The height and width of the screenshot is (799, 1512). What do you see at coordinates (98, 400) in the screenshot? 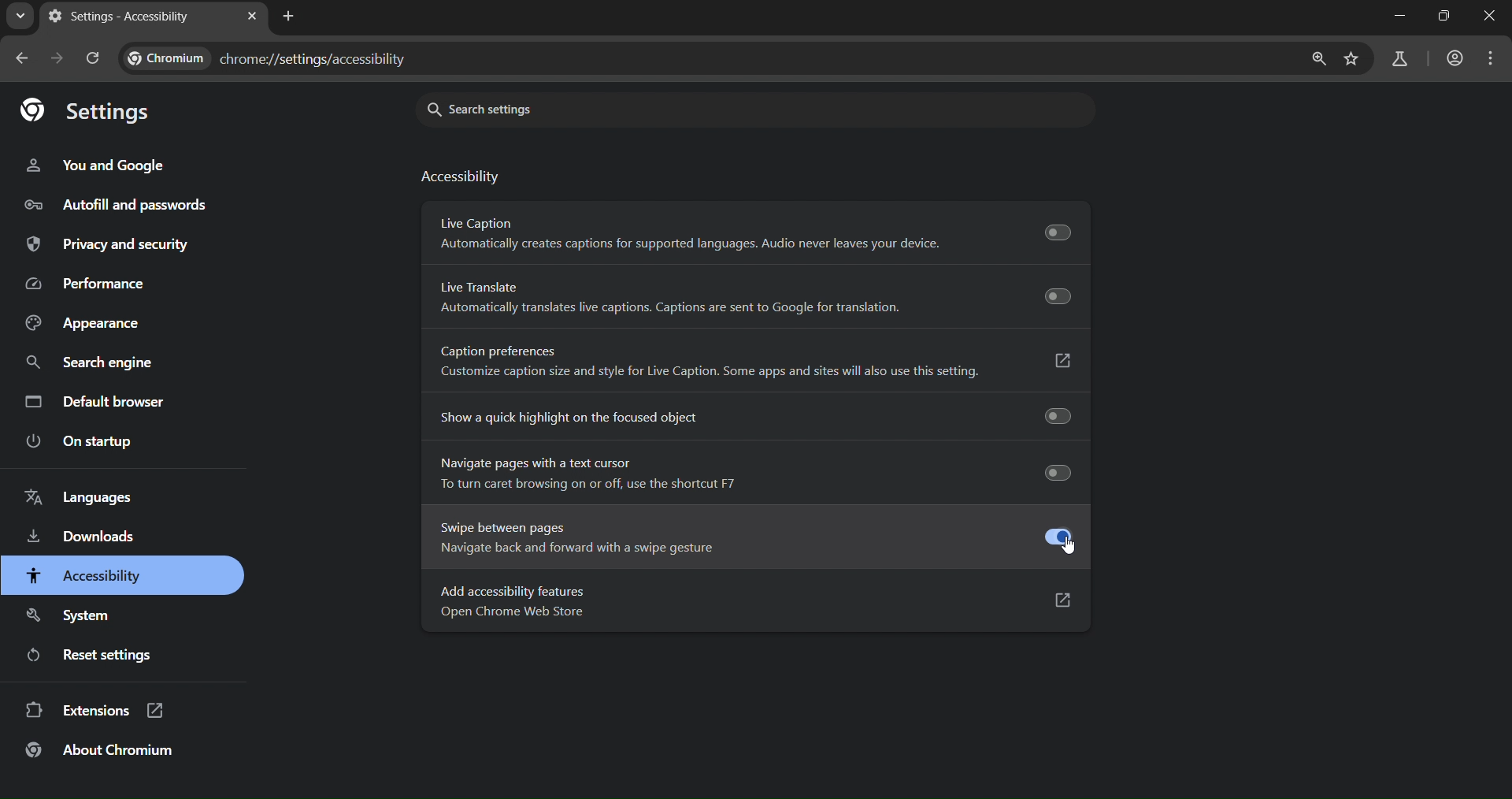
I see `default browser` at bounding box center [98, 400].